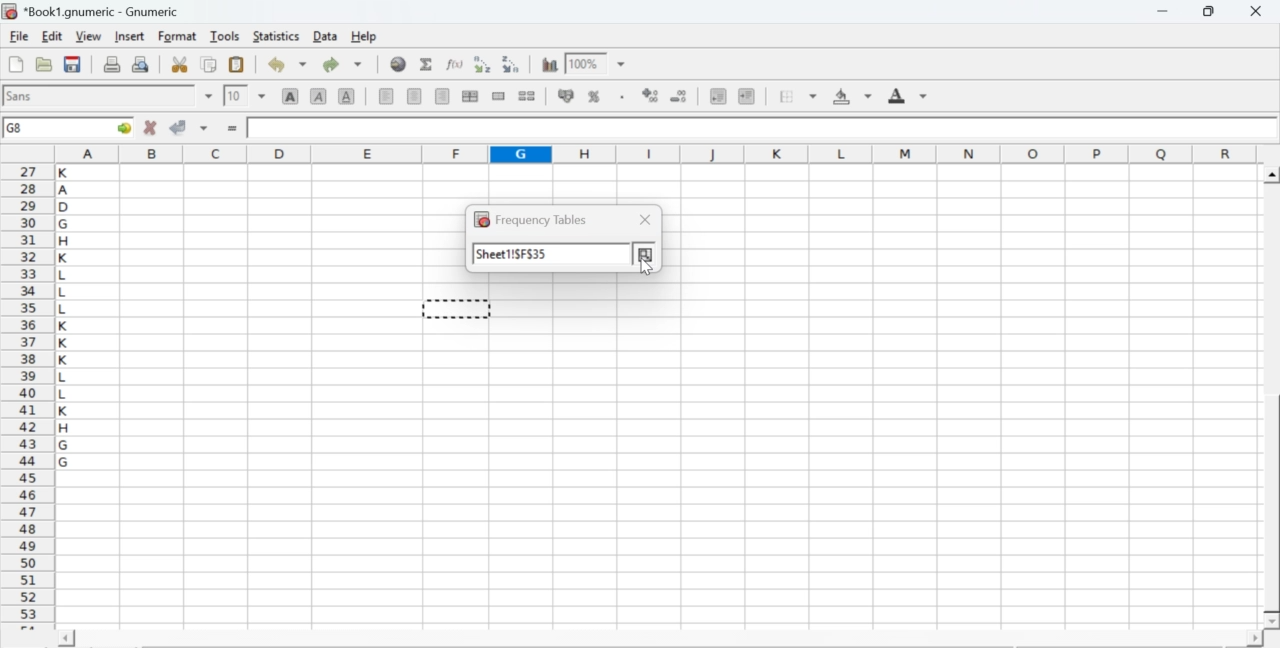 The width and height of the screenshot is (1280, 648). Describe the element at coordinates (854, 96) in the screenshot. I see `background` at that location.